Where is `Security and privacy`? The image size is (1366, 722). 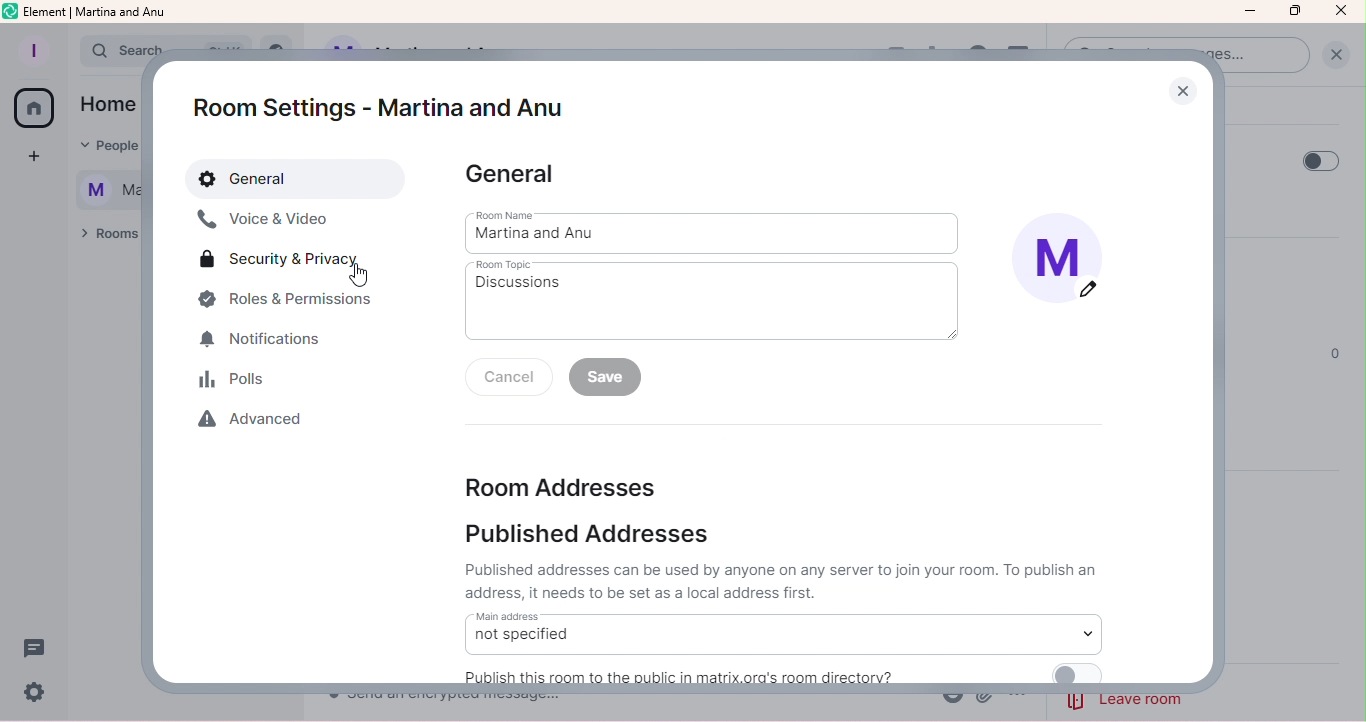
Security and privacy is located at coordinates (301, 261).